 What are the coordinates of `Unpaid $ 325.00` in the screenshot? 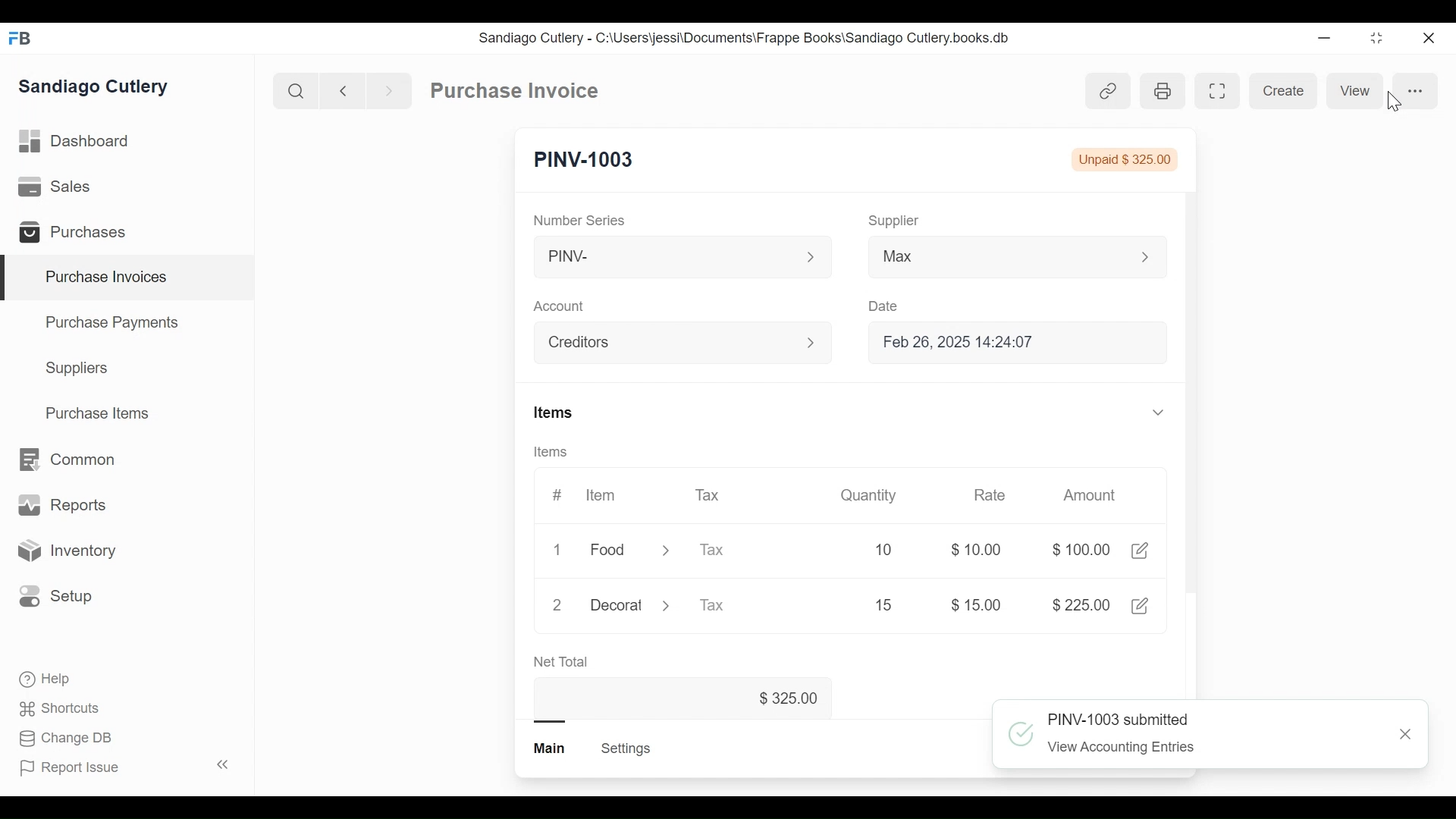 It's located at (1125, 160).